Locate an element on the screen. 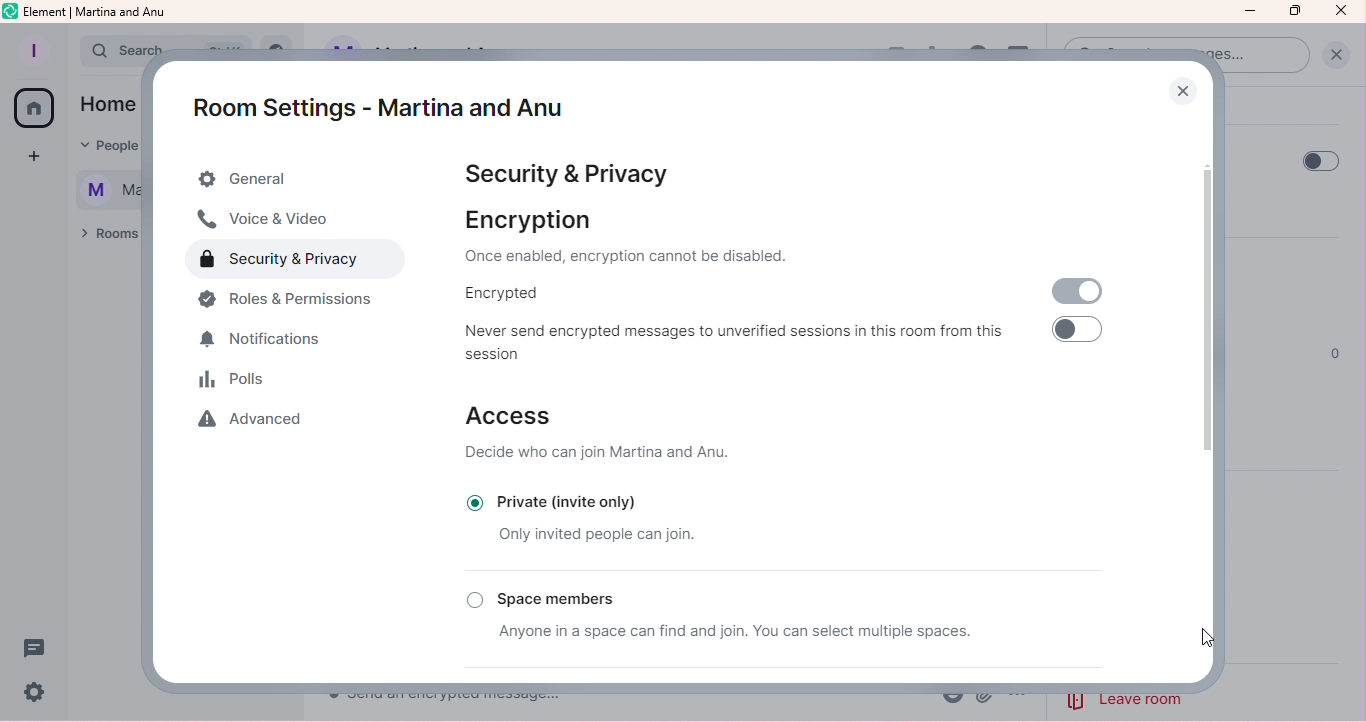 The image size is (1366, 722). Decide who can join Martina and Anu. is located at coordinates (604, 452).